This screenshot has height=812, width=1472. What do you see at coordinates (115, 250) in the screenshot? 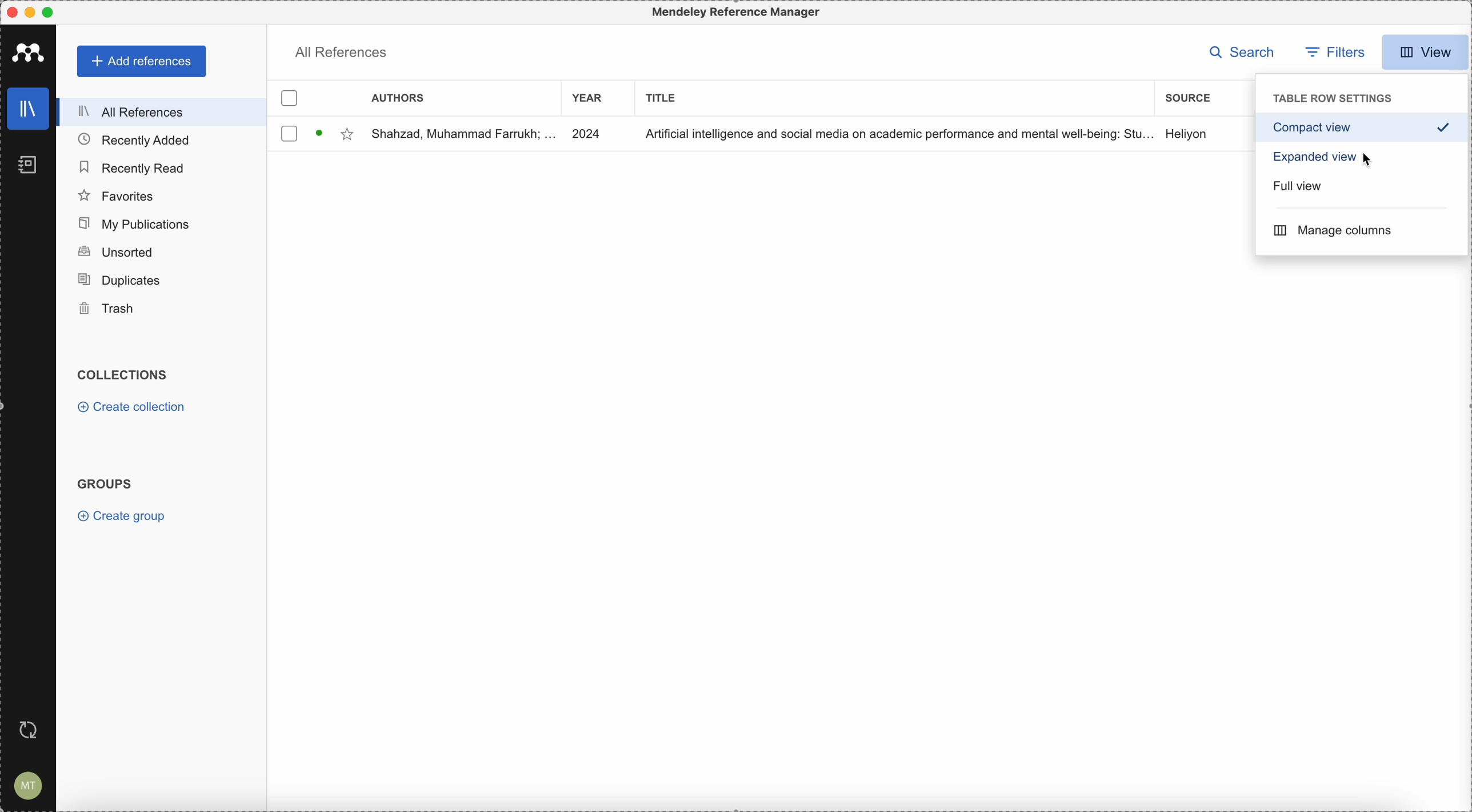
I see `unsorted` at bounding box center [115, 250].